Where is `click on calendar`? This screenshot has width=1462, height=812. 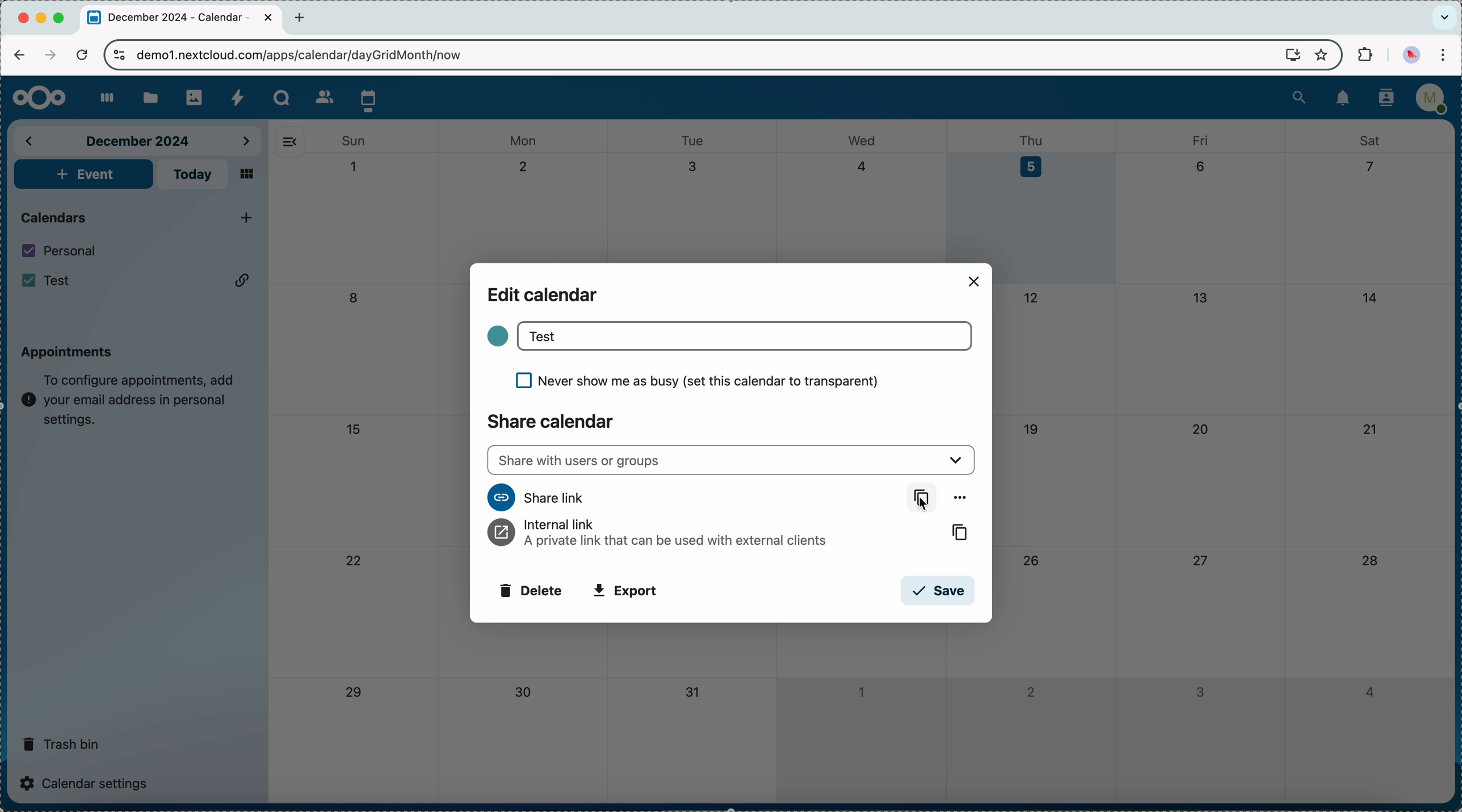 click on calendar is located at coordinates (369, 99).